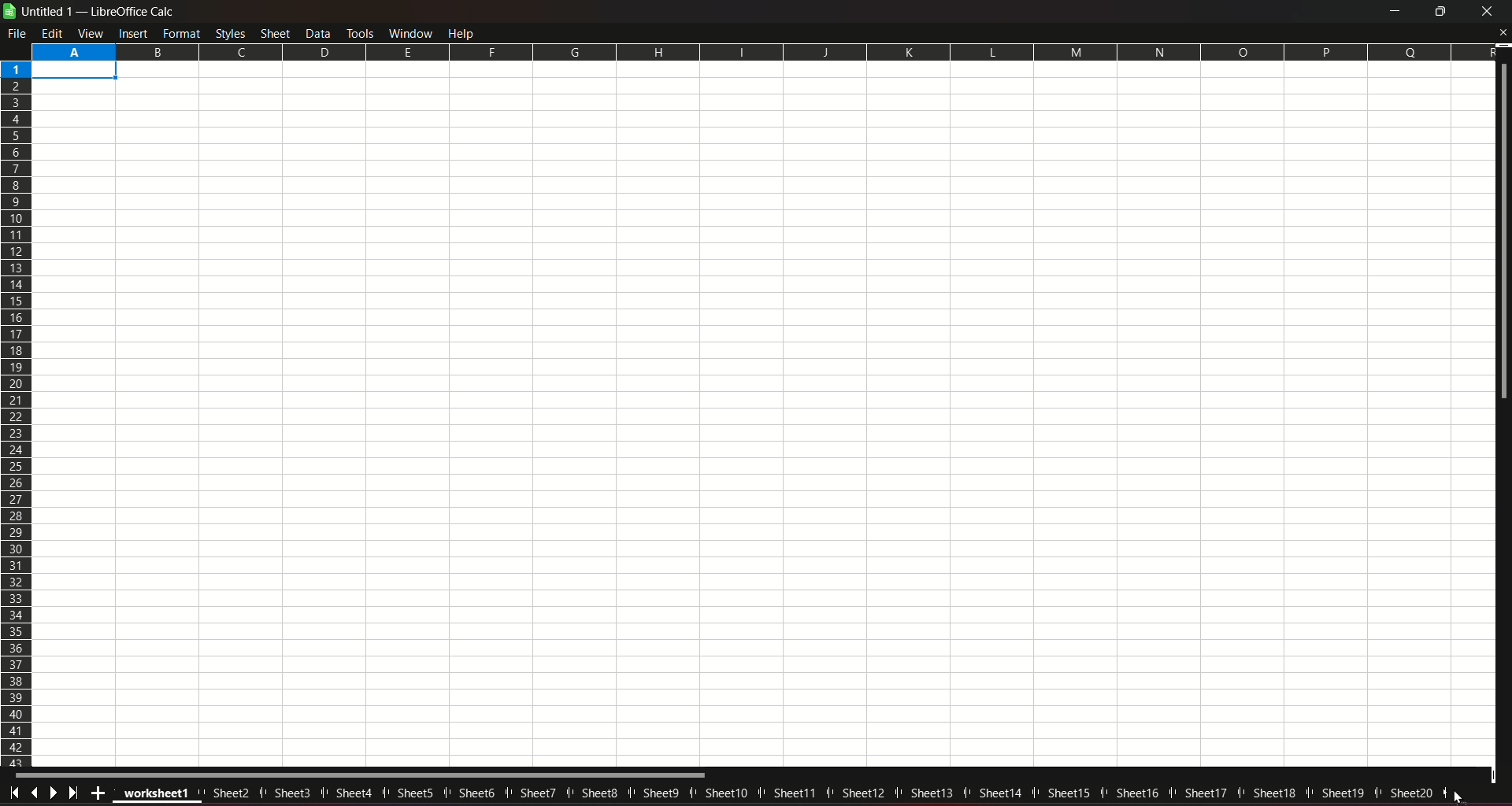  I want to click on Window, so click(409, 32).